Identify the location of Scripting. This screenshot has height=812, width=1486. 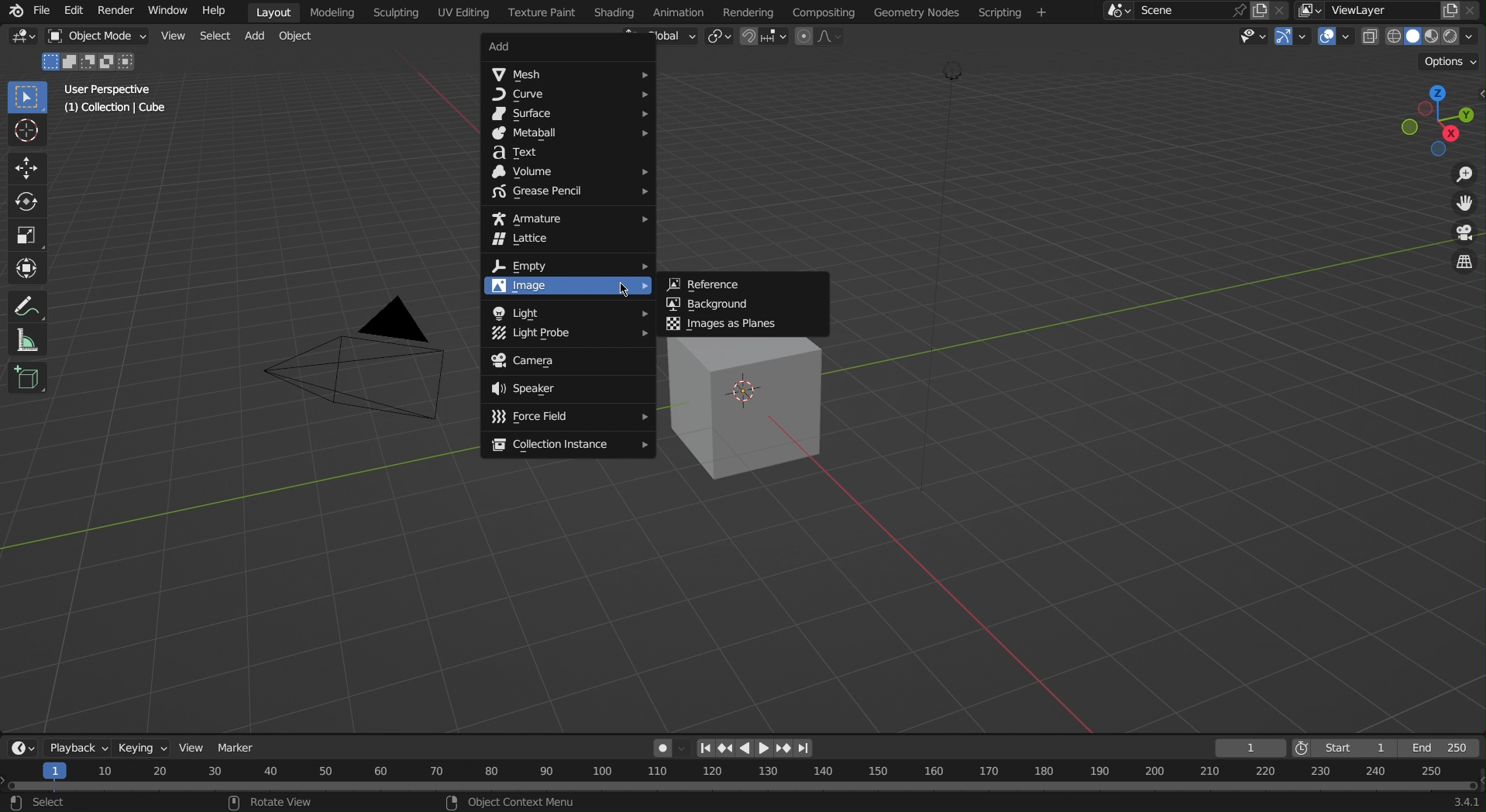
(1011, 10).